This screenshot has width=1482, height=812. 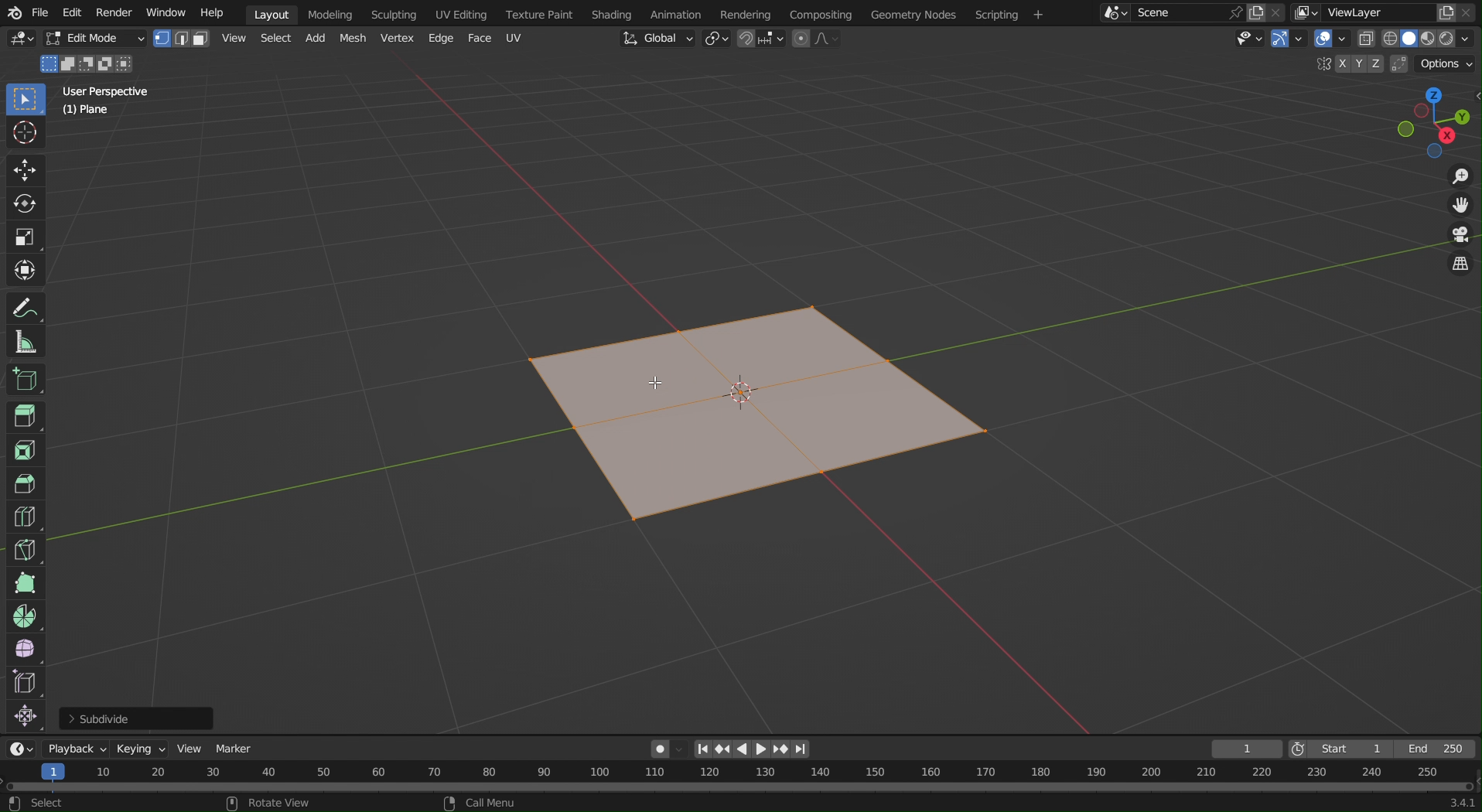 What do you see at coordinates (759, 417) in the screenshot?
I see `Plane (zero subdivisions)` at bounding box center [759, 417].